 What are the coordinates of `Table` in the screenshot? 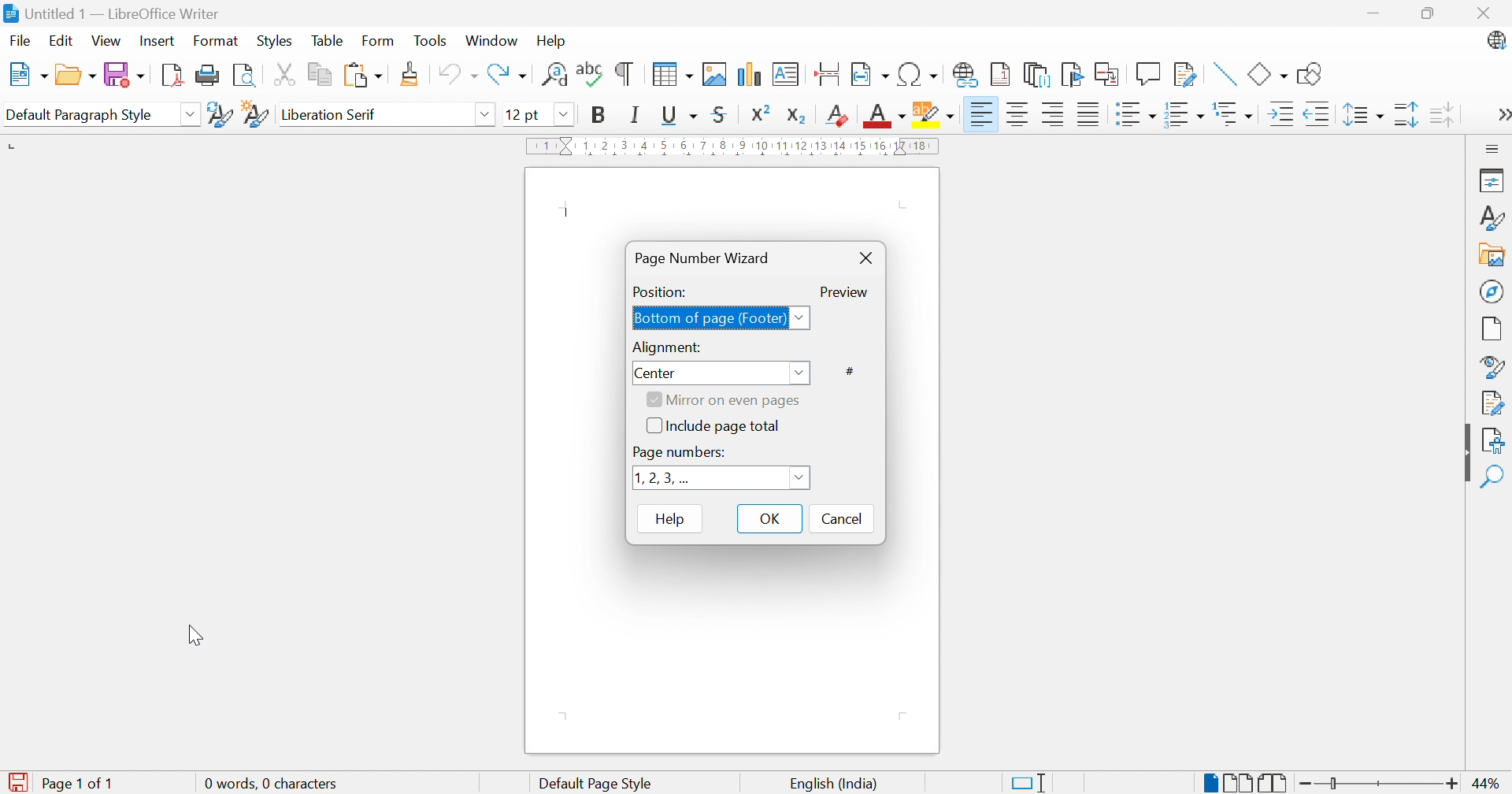 It's located at (327, 40).